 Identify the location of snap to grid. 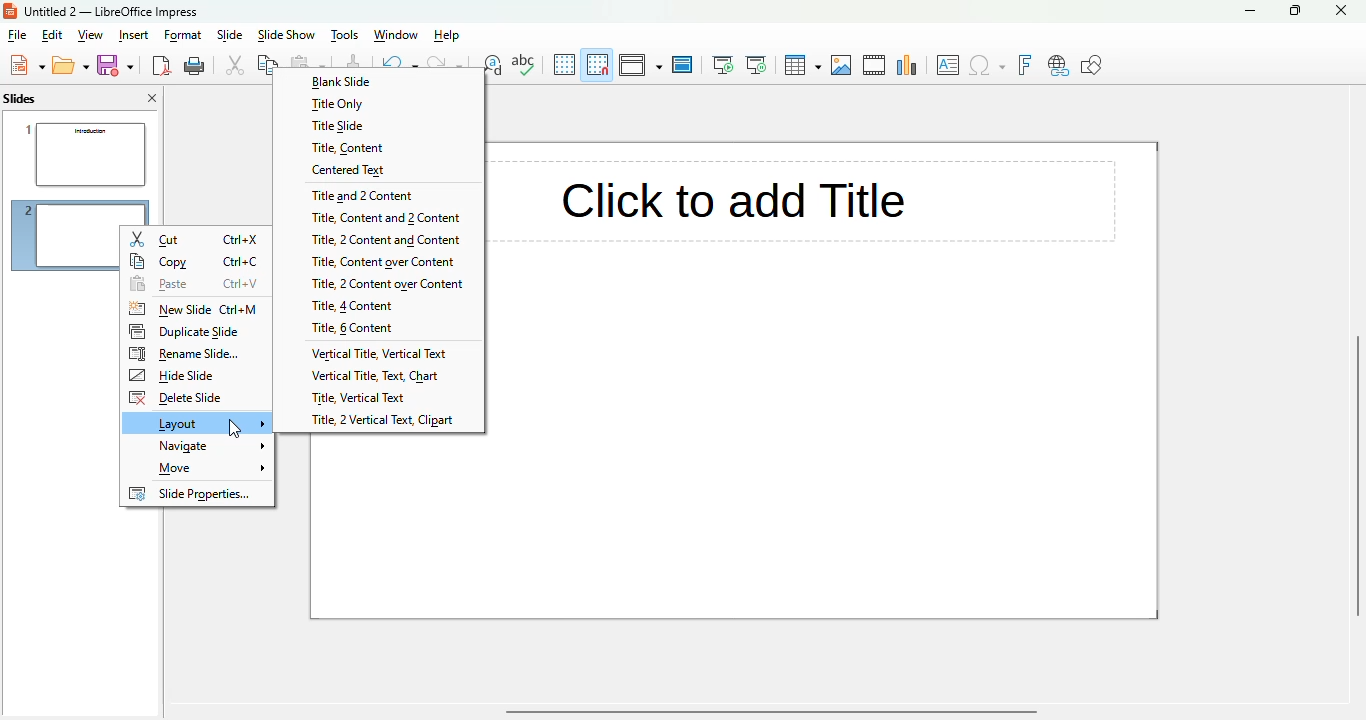
(598, 64).